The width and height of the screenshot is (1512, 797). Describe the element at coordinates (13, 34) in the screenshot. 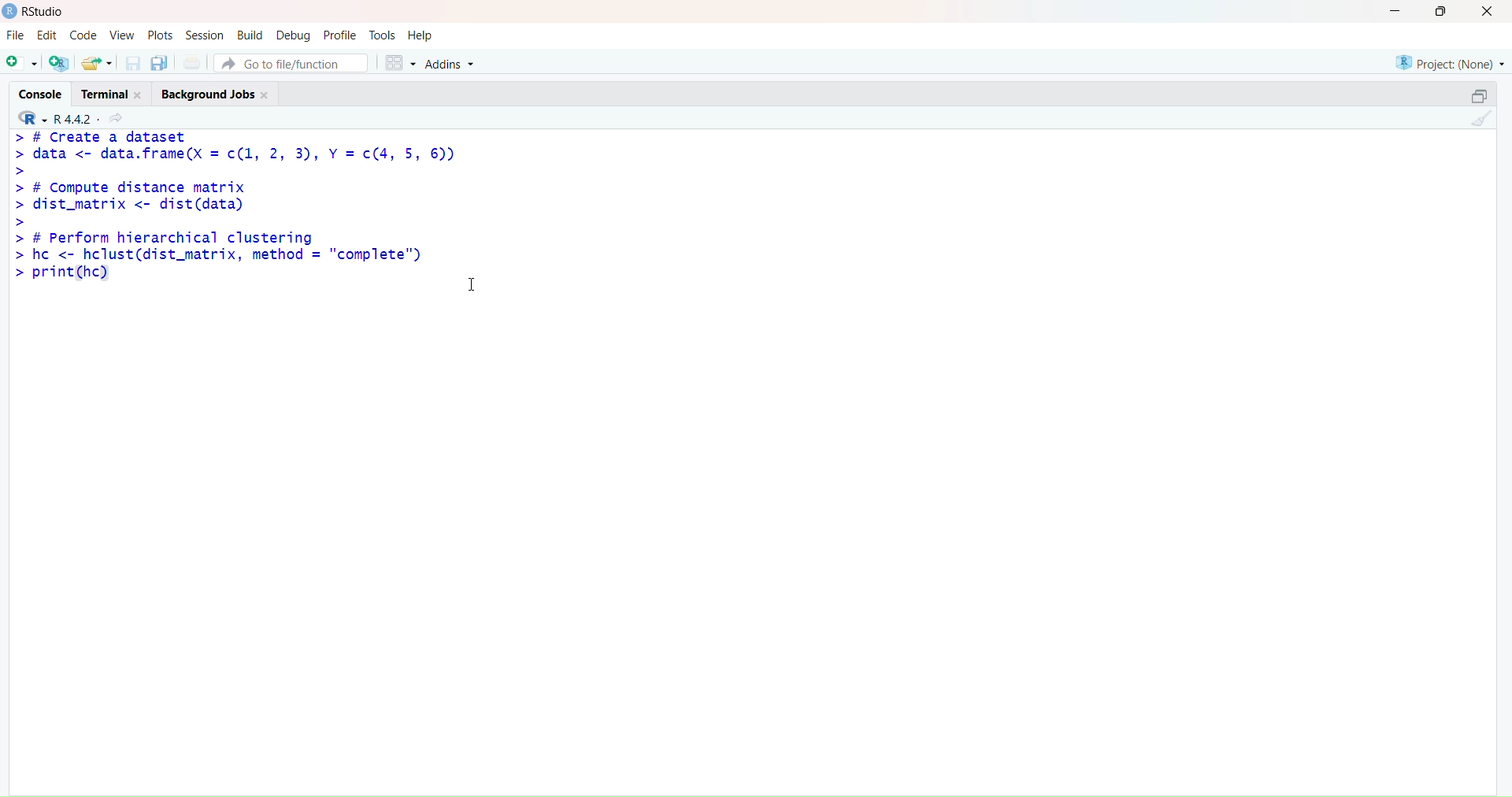

I see `File` at that location.